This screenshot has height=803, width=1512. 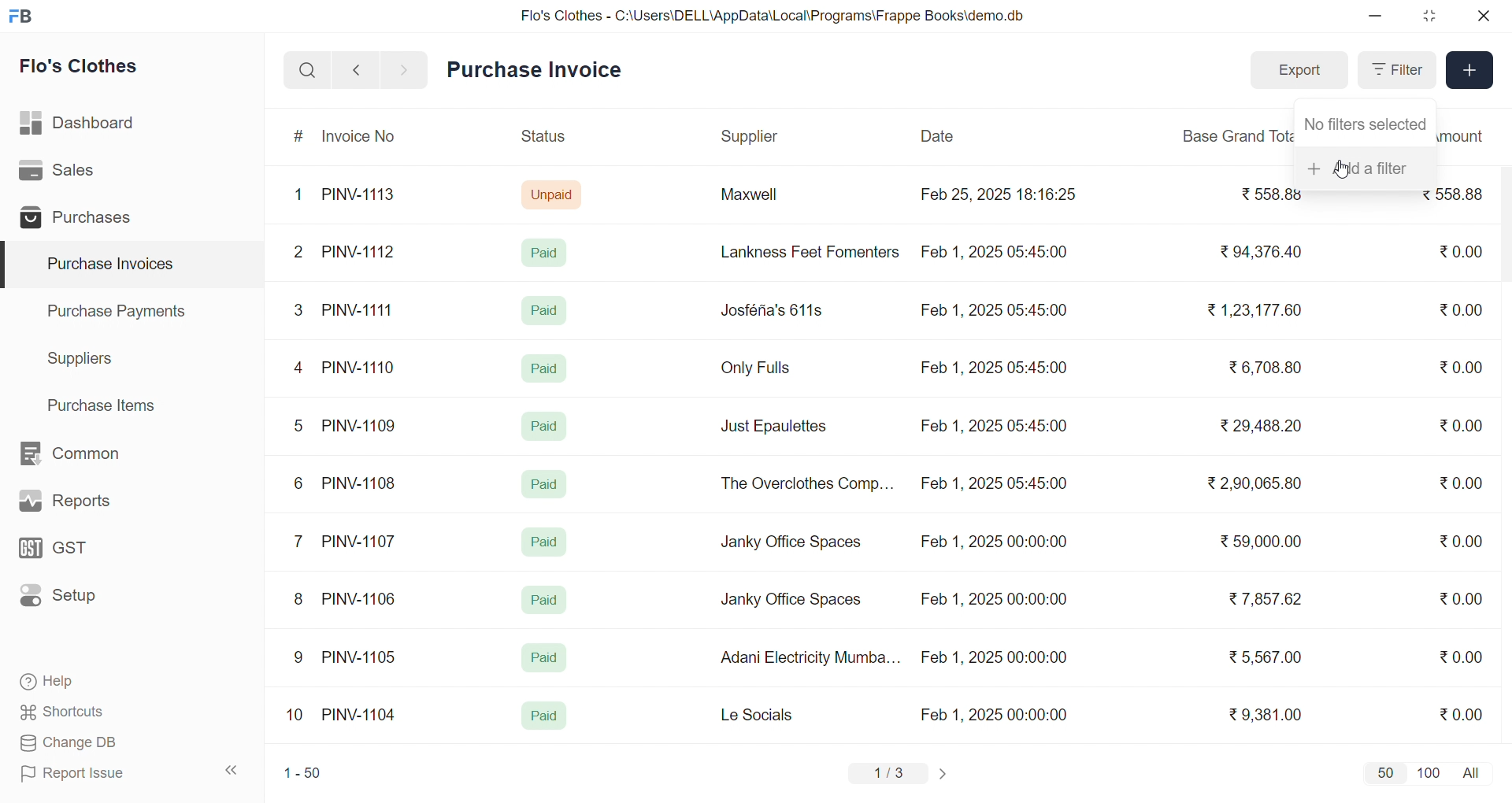 What do you see at coordinates (543, 367) in the screenshot?
I see `Paid` at bounding box center [543, 367].